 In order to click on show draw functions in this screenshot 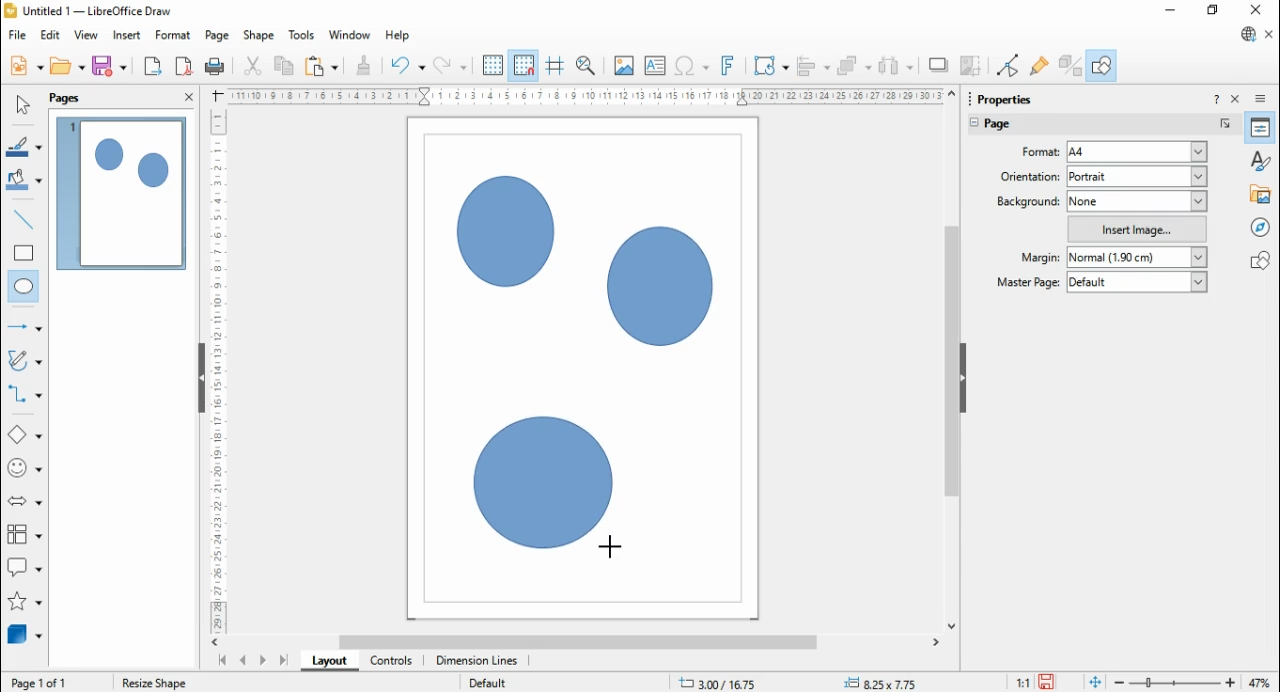, I will do `click(1101, 65)`.